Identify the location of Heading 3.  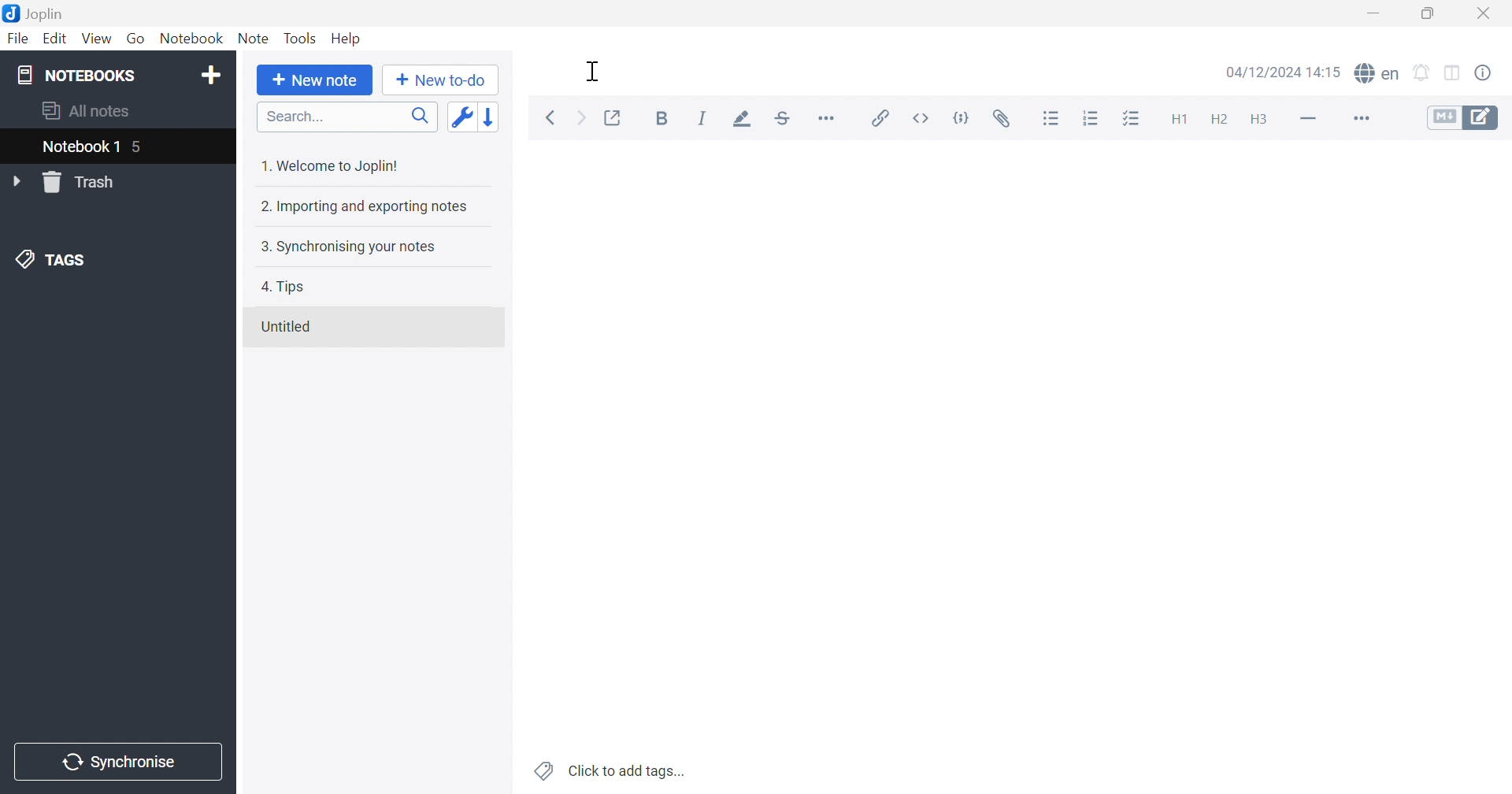
(1258, 121).